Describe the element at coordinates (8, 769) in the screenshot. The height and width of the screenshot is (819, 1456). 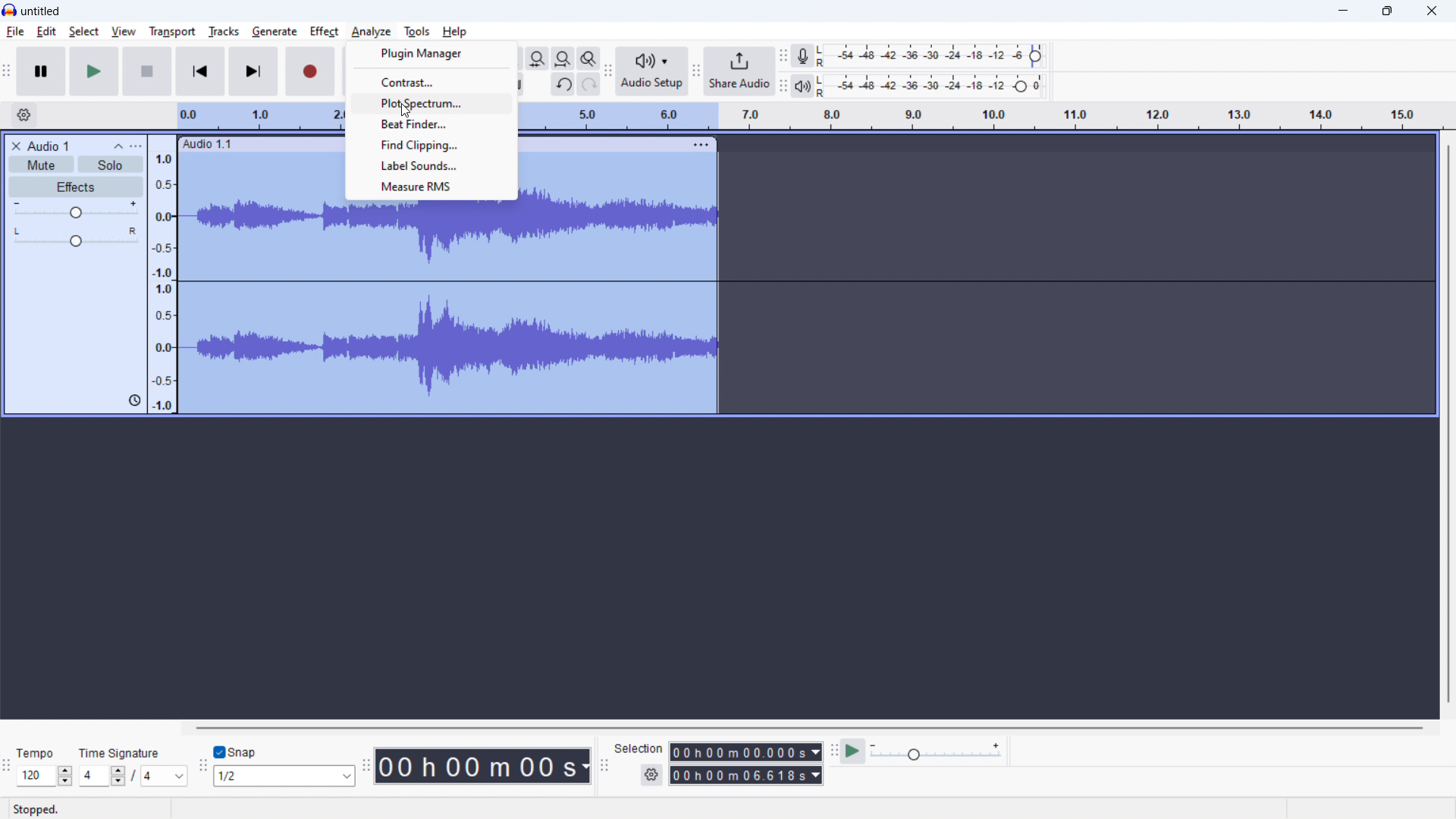
I see `time signature toolbar` at that location.